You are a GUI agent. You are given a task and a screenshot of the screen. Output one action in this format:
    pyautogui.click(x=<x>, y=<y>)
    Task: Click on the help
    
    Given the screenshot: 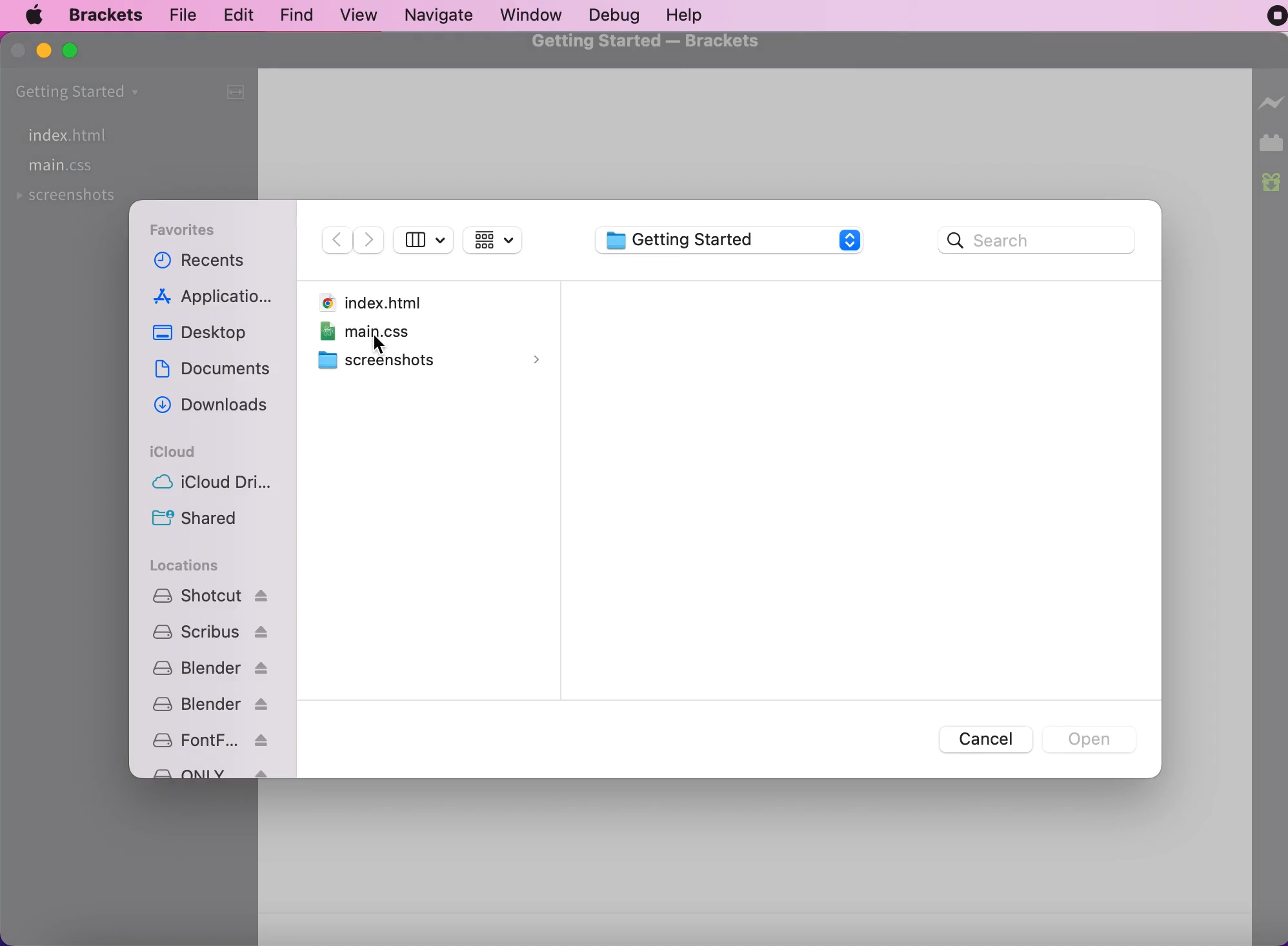 What is the action you would take?
    pyautogui.click(x=692, y=14)
    